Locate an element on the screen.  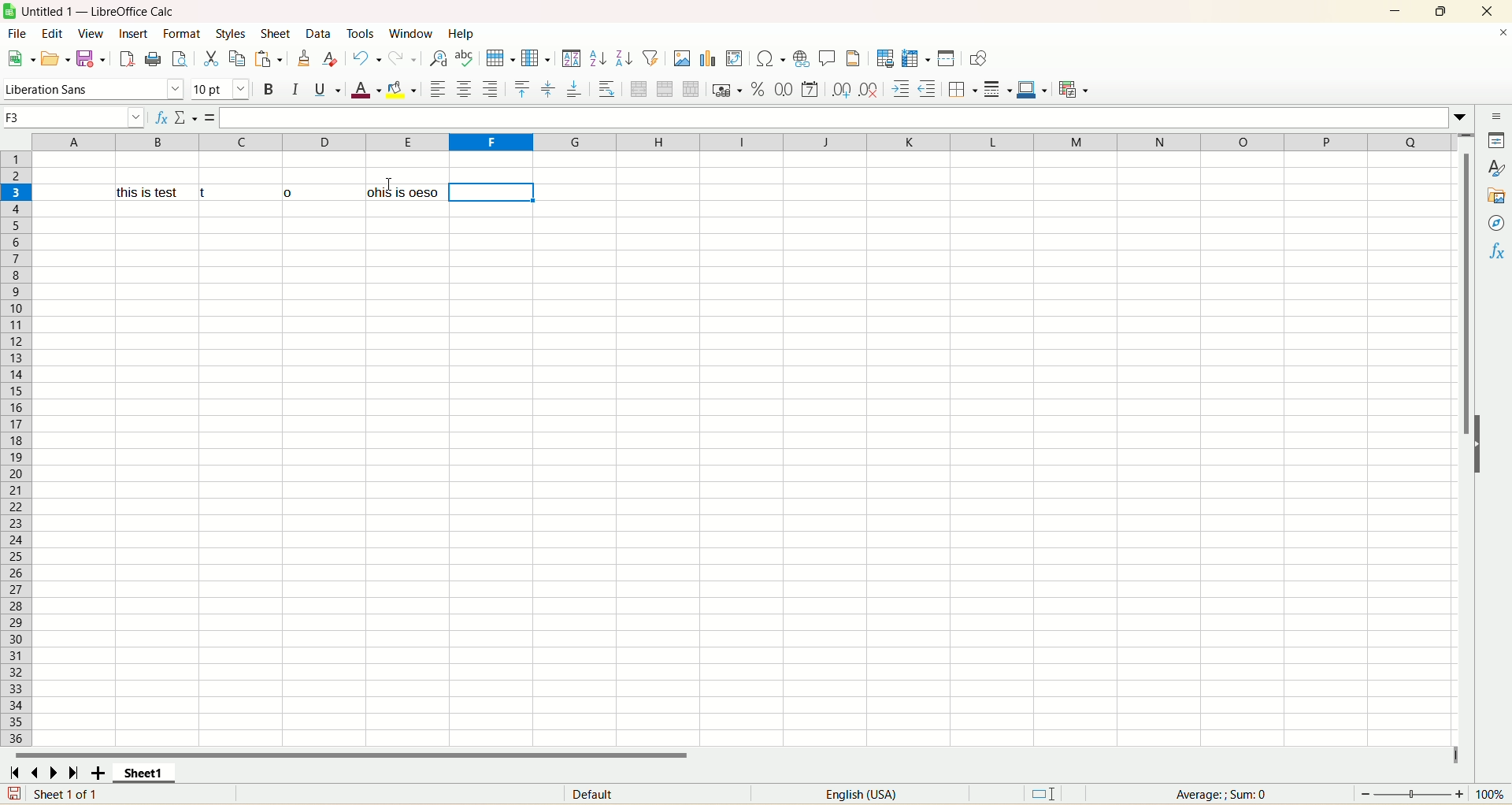
remove formatting is located at coordinates (330, 57).